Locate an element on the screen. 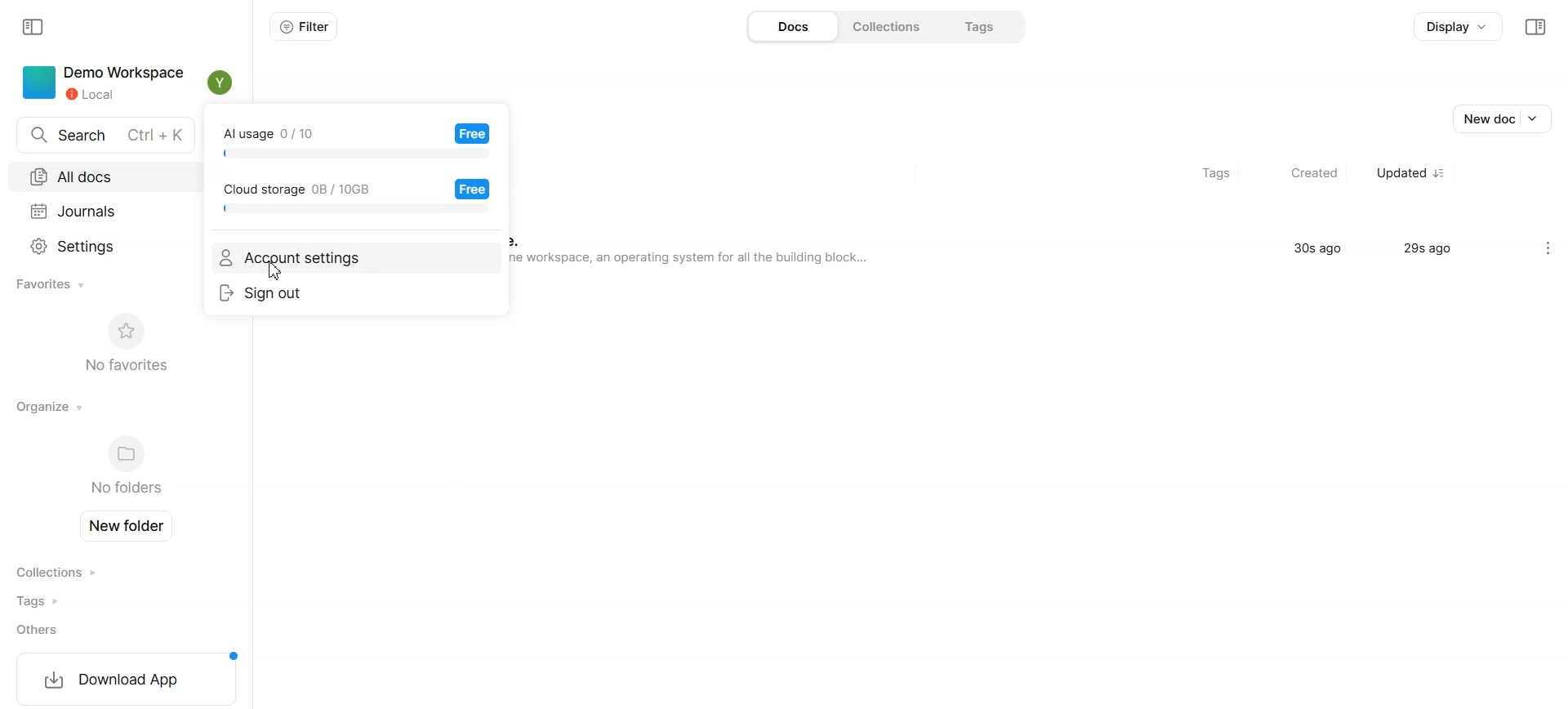 The height and width of the screenshot is (709, 1568). New doc is located at coordinates (1505, 118).